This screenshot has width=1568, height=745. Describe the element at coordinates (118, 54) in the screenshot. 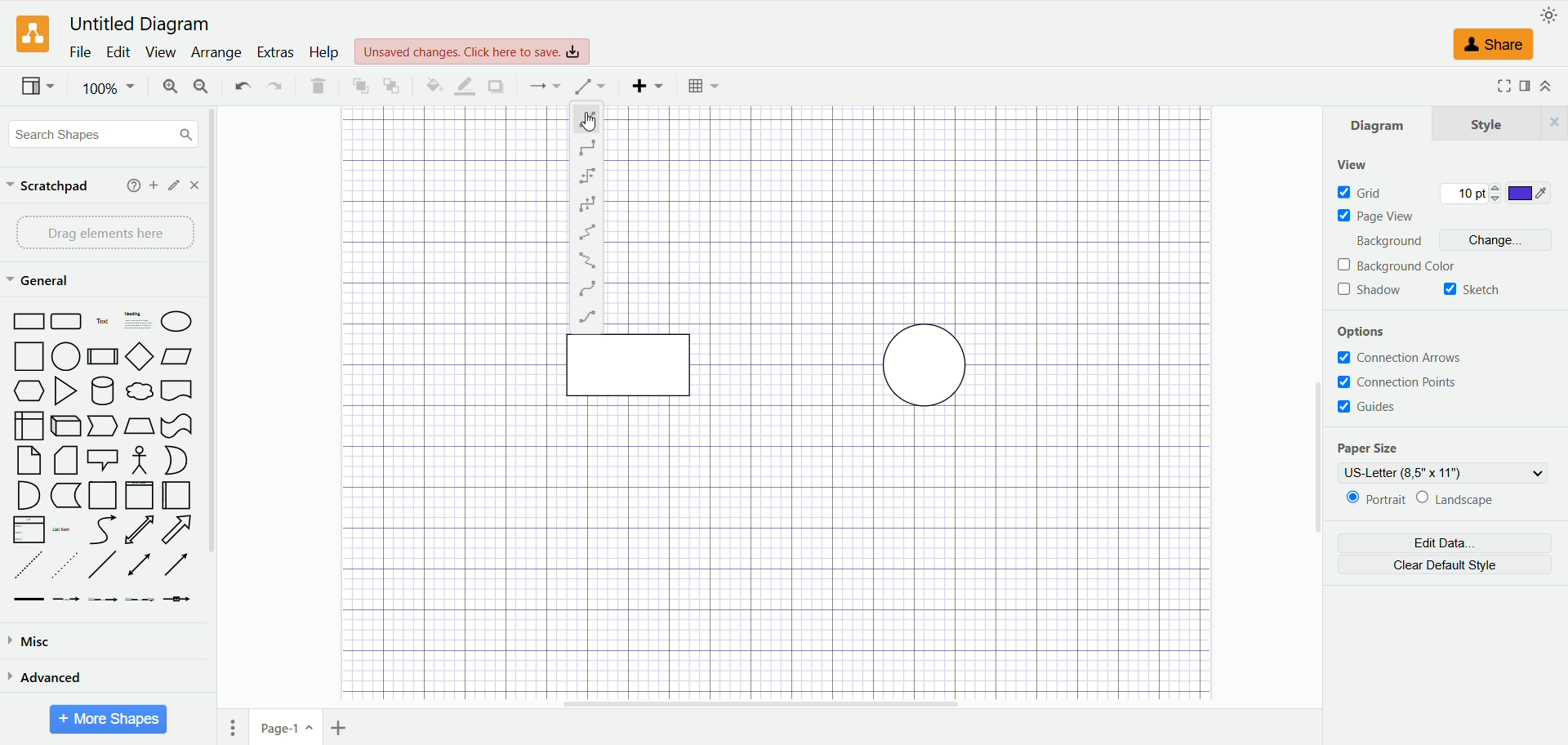

I see `edit` at that location.